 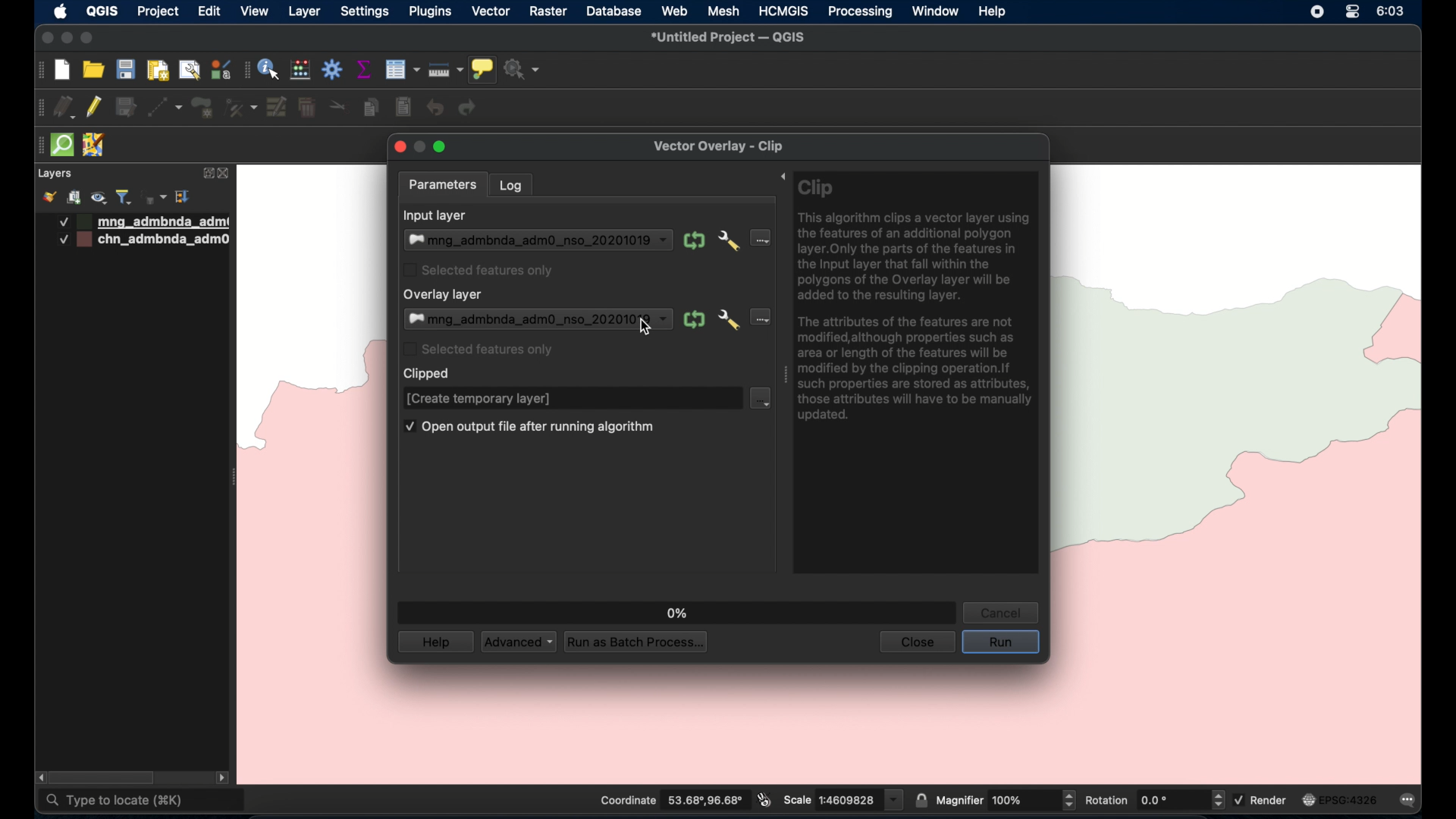 What do you see at coordinates (468, 108) in the screenshot?
I see `redo` at bounding box center [468, 108].